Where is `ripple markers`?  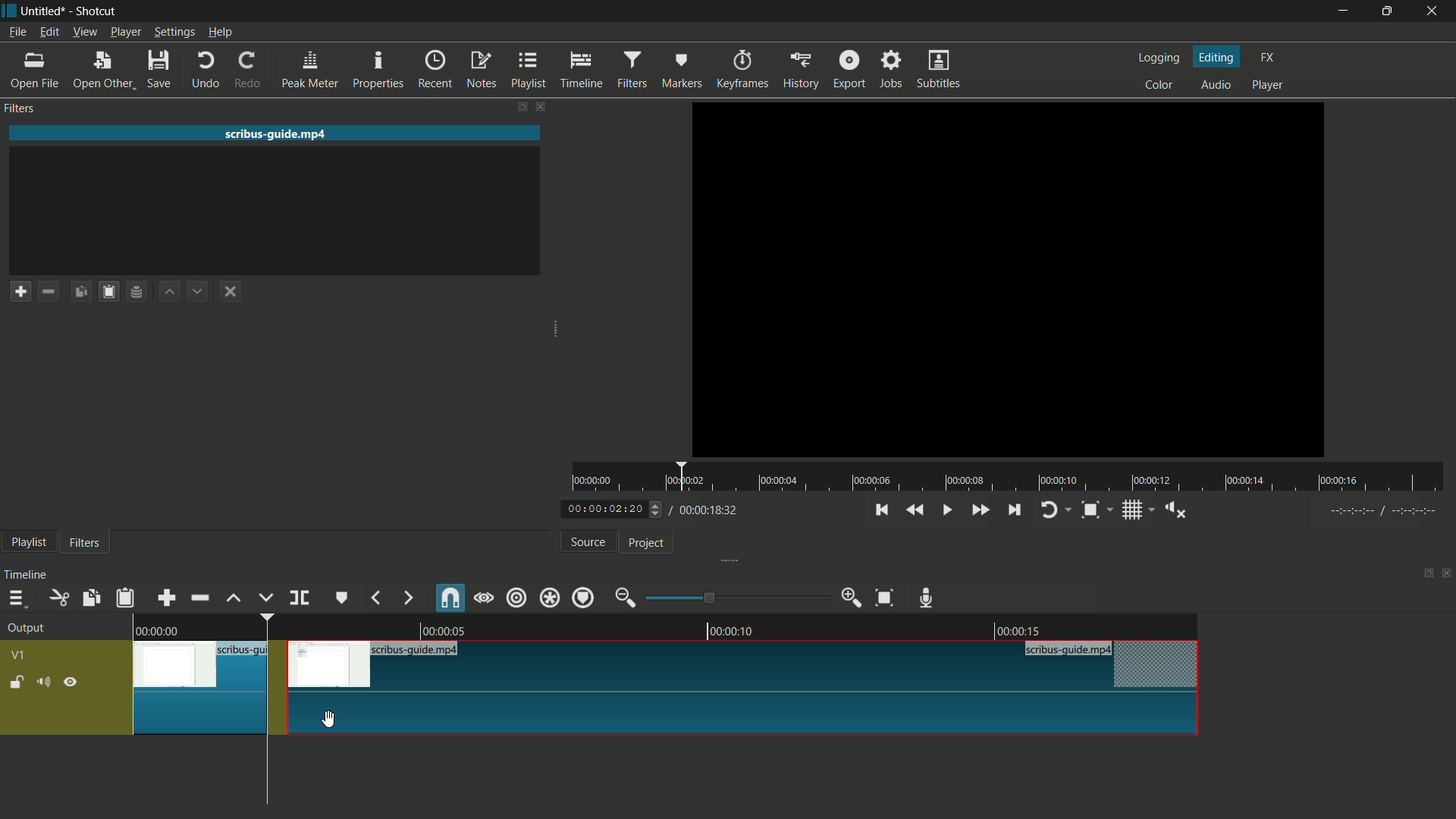 ripple markers is located at coordinates (584, 597).